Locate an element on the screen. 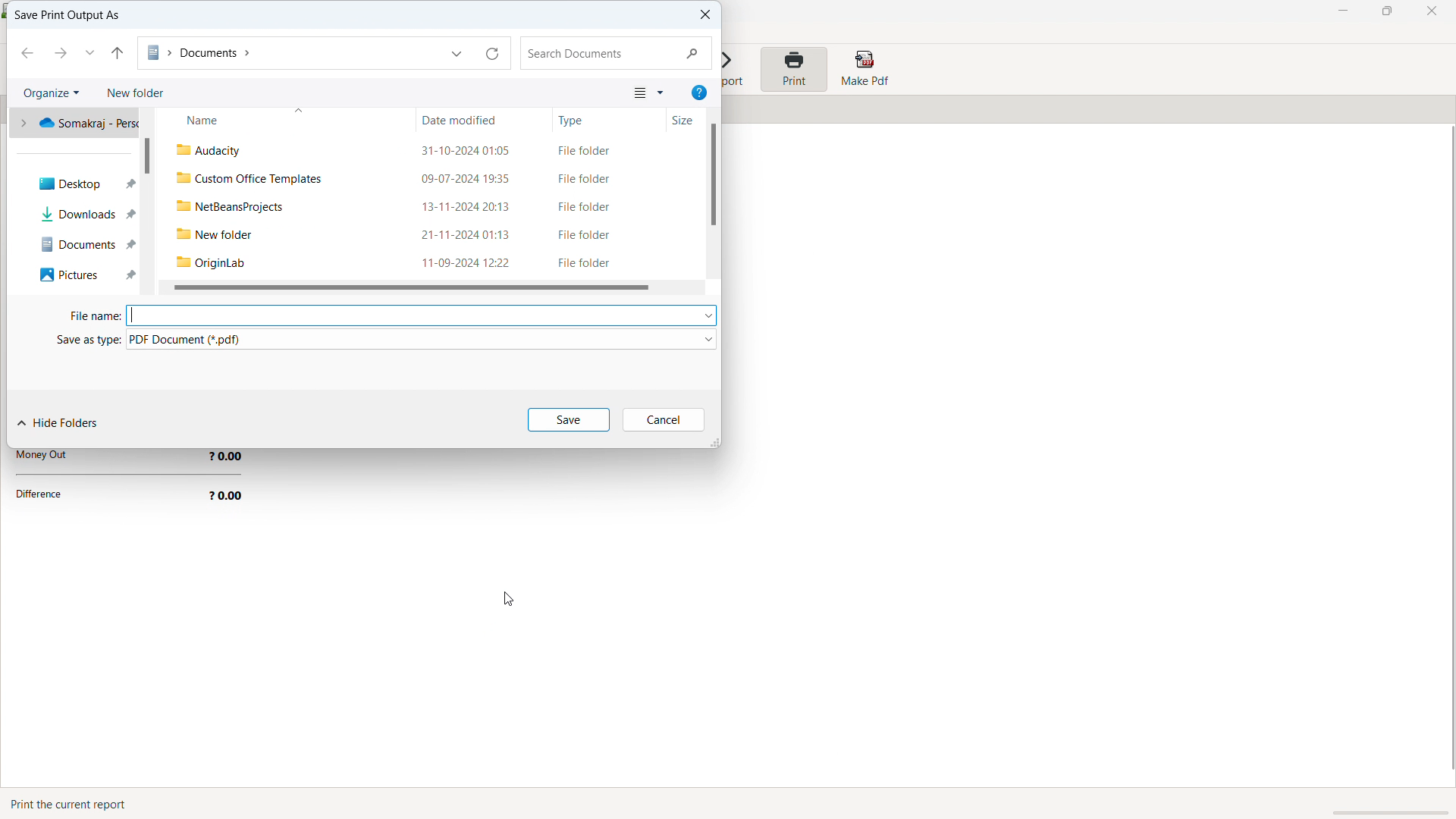 This screenshot has width=1456, height=819. previous folder is located at coordinates (26, 53).